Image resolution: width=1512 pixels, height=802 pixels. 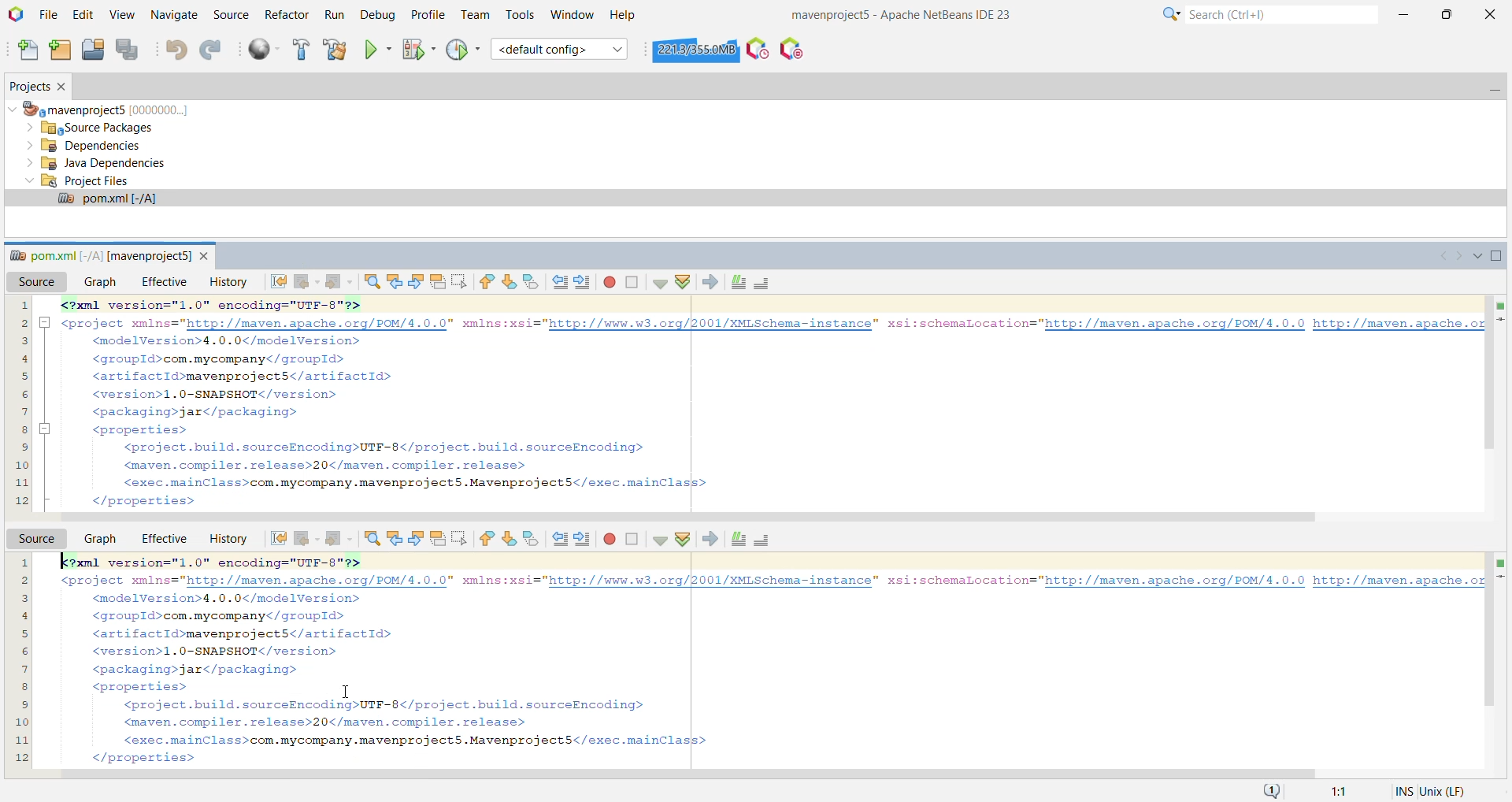 What do you see at coordinates (754, 199) in the screenshot?
I see `pom.xml file opened` at bounding box center [754, 199].